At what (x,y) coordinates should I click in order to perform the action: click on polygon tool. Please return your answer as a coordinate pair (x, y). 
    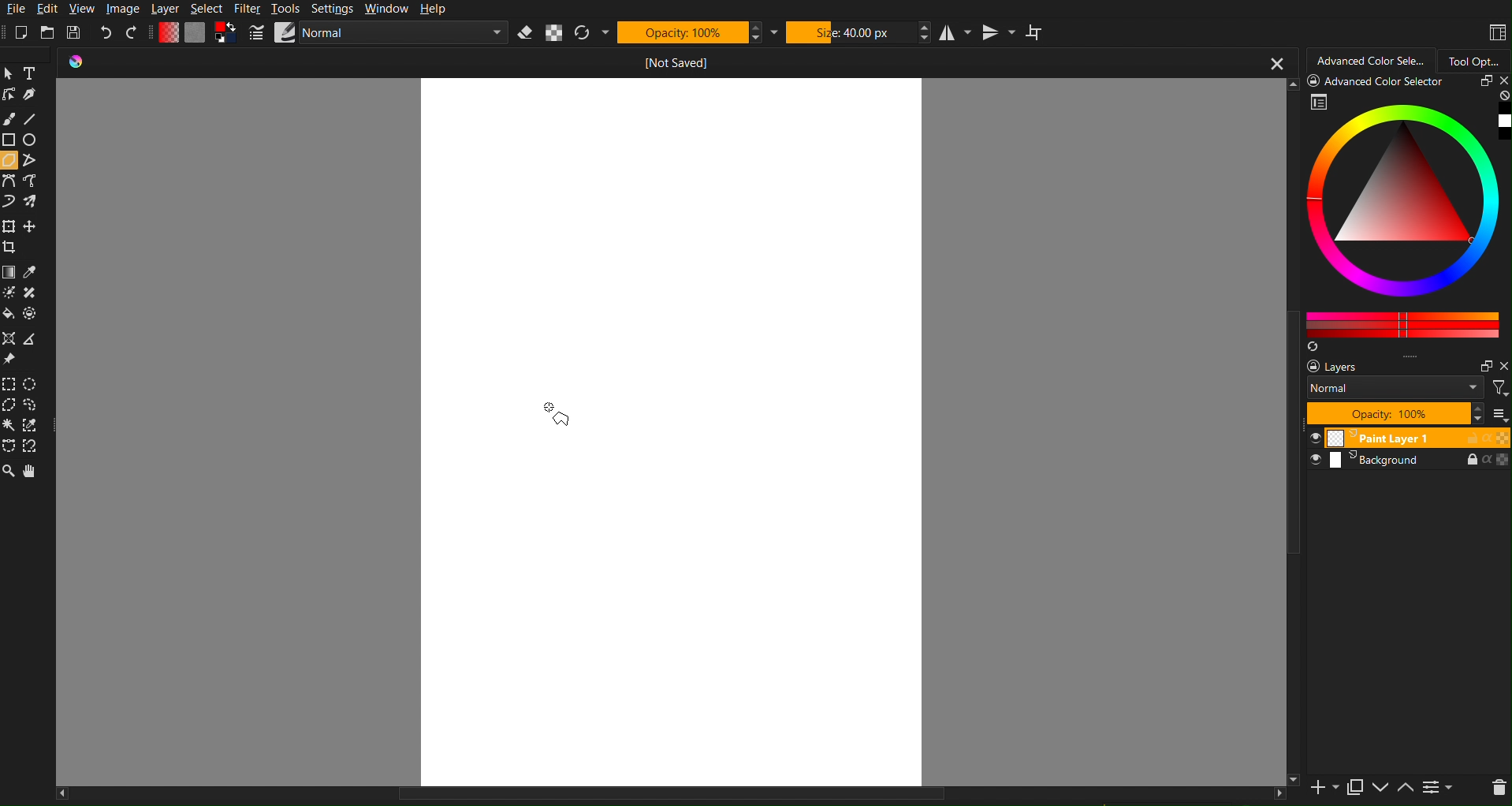
    Looking at the image, I should click on (10, 160).